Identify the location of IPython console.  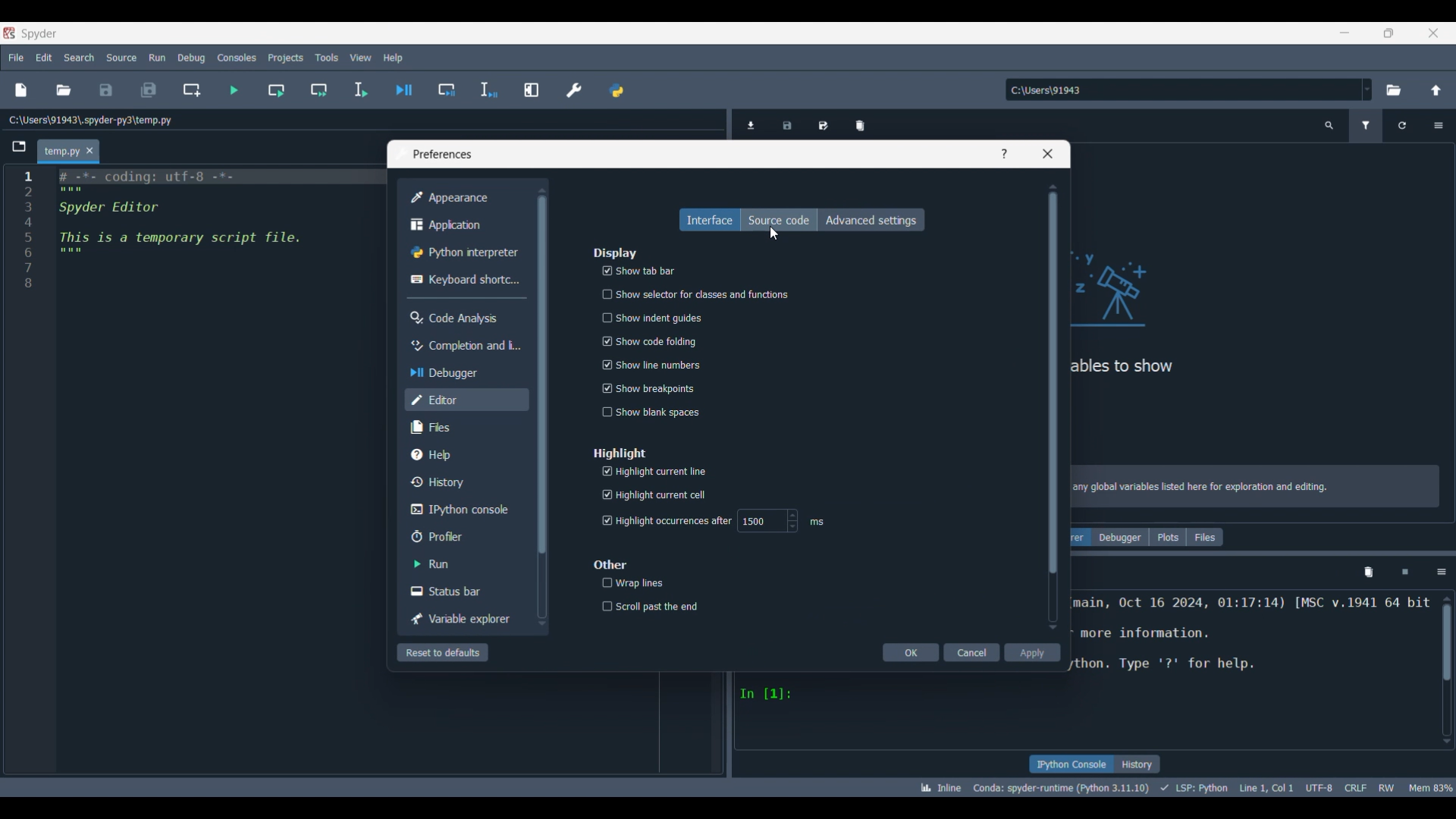
(466, 510).